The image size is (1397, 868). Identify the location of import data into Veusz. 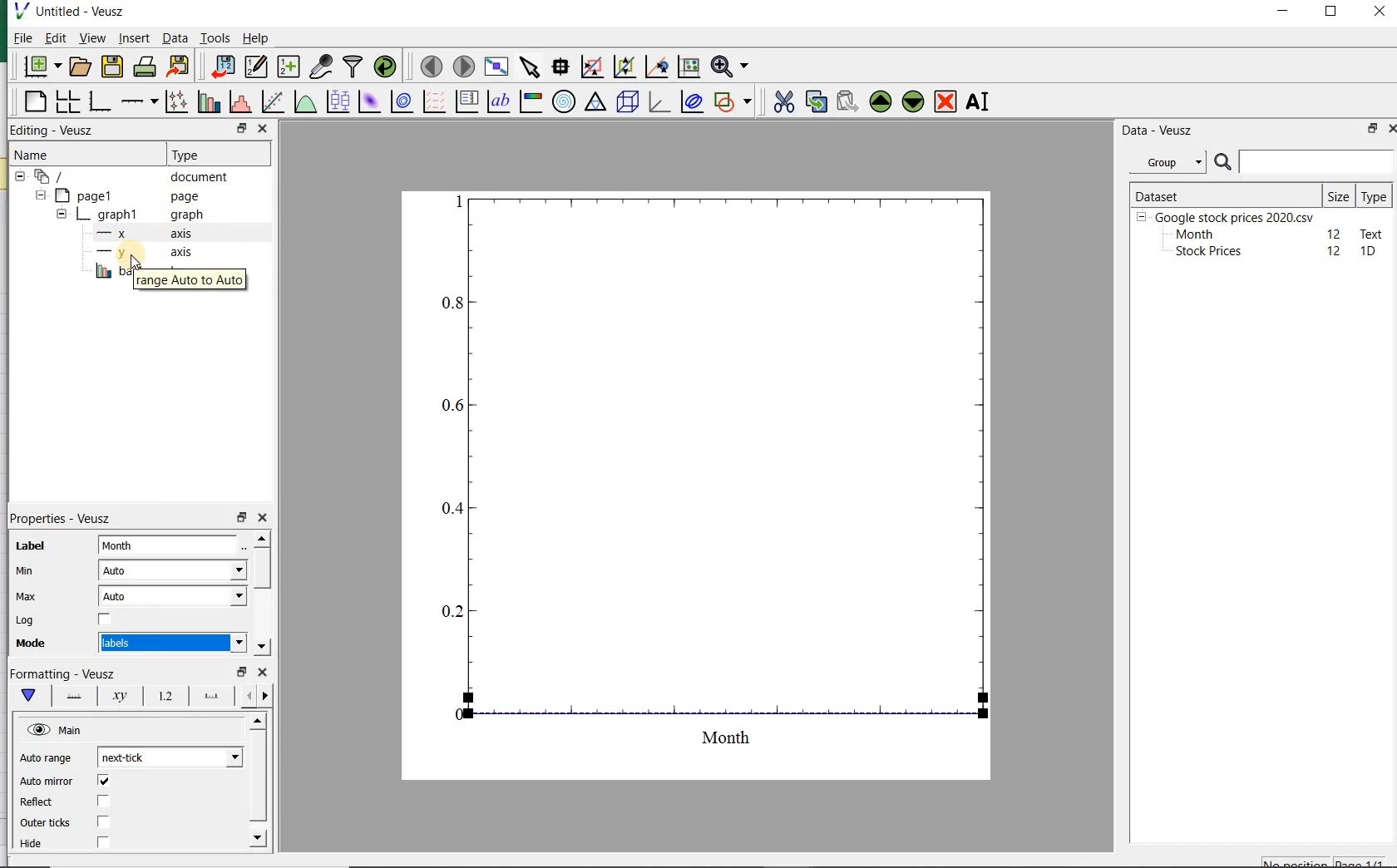
(220, 67).